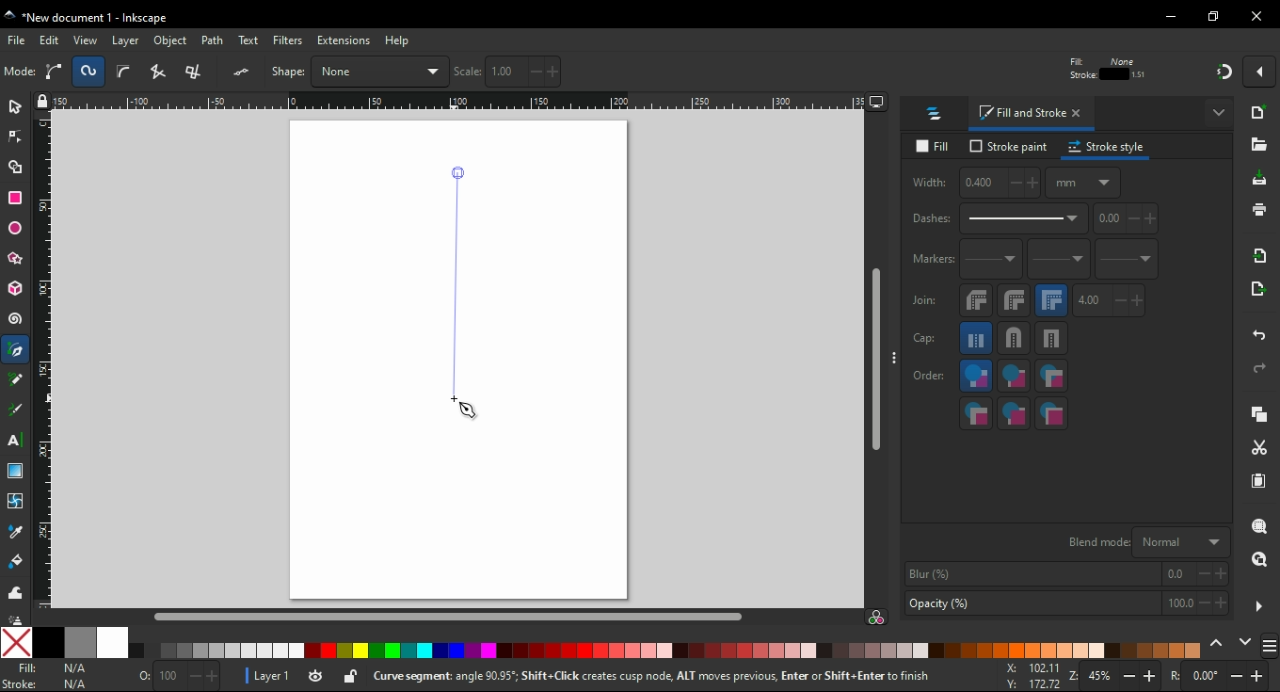 The height and width of the screenshot is (692, 1280). Describe the element at coordinates (452, 615) in the screenshot. I see `scroll bar` at that location.